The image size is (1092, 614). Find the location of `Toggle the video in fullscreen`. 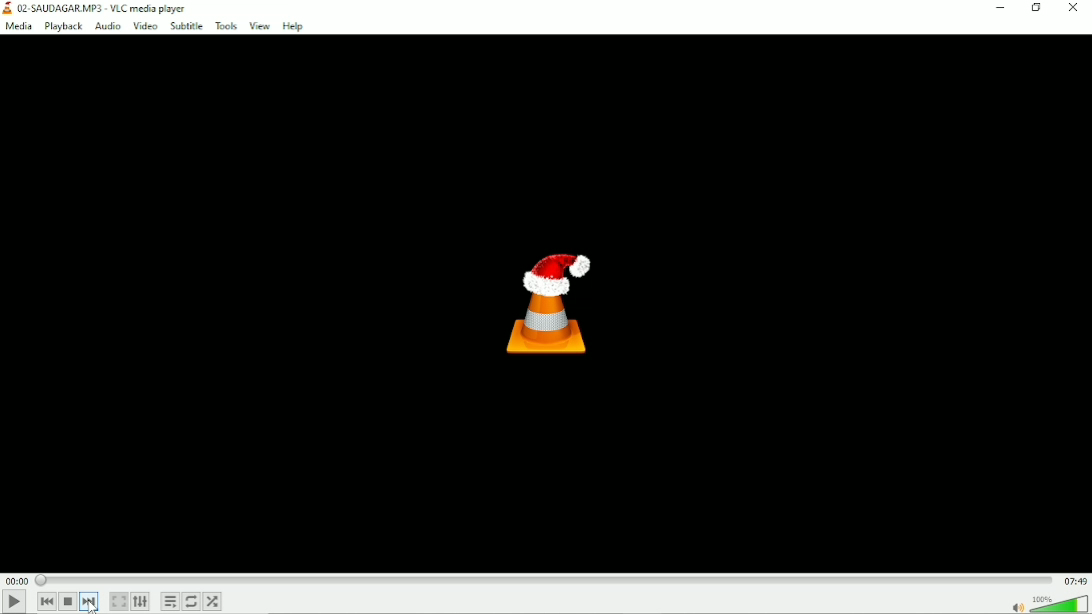

Toggle the video in fullscreen is located at coordinates (118, 601).